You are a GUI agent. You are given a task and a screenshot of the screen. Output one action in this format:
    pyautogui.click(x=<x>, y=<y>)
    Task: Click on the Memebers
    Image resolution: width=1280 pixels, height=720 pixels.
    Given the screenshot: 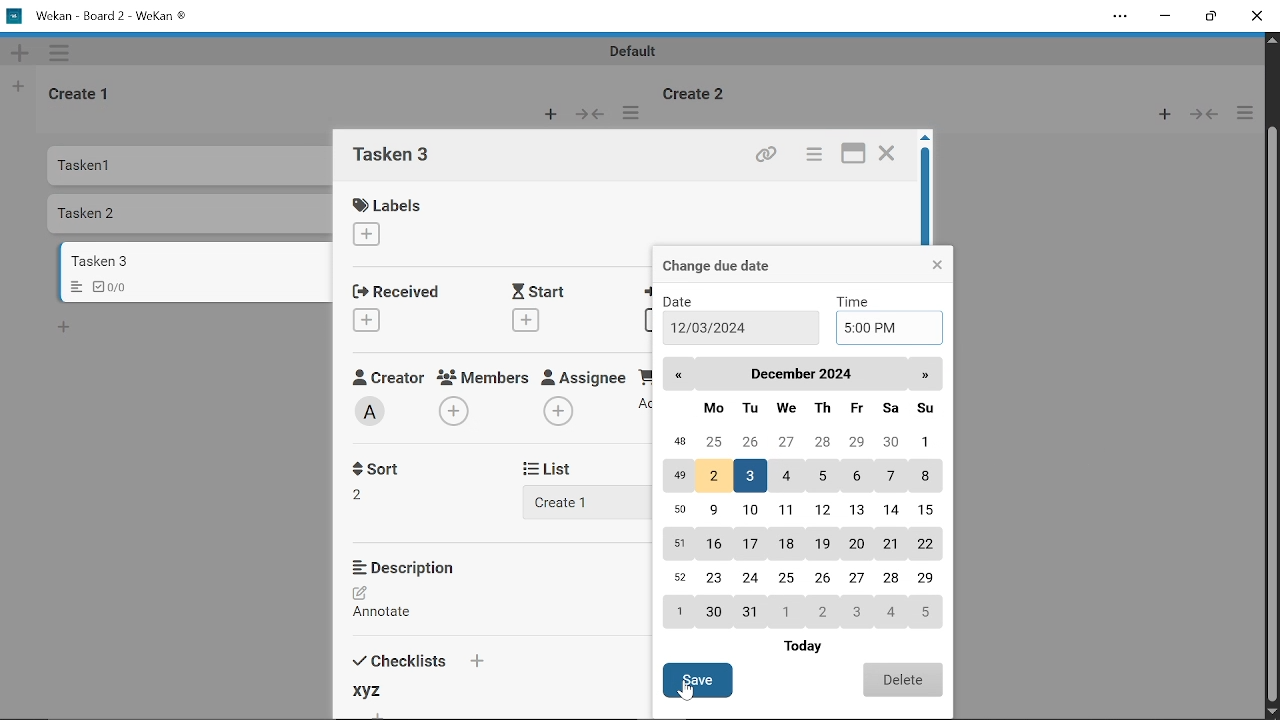 What is the action you would take?
    pyautogui.click(x=485, y=377)
    